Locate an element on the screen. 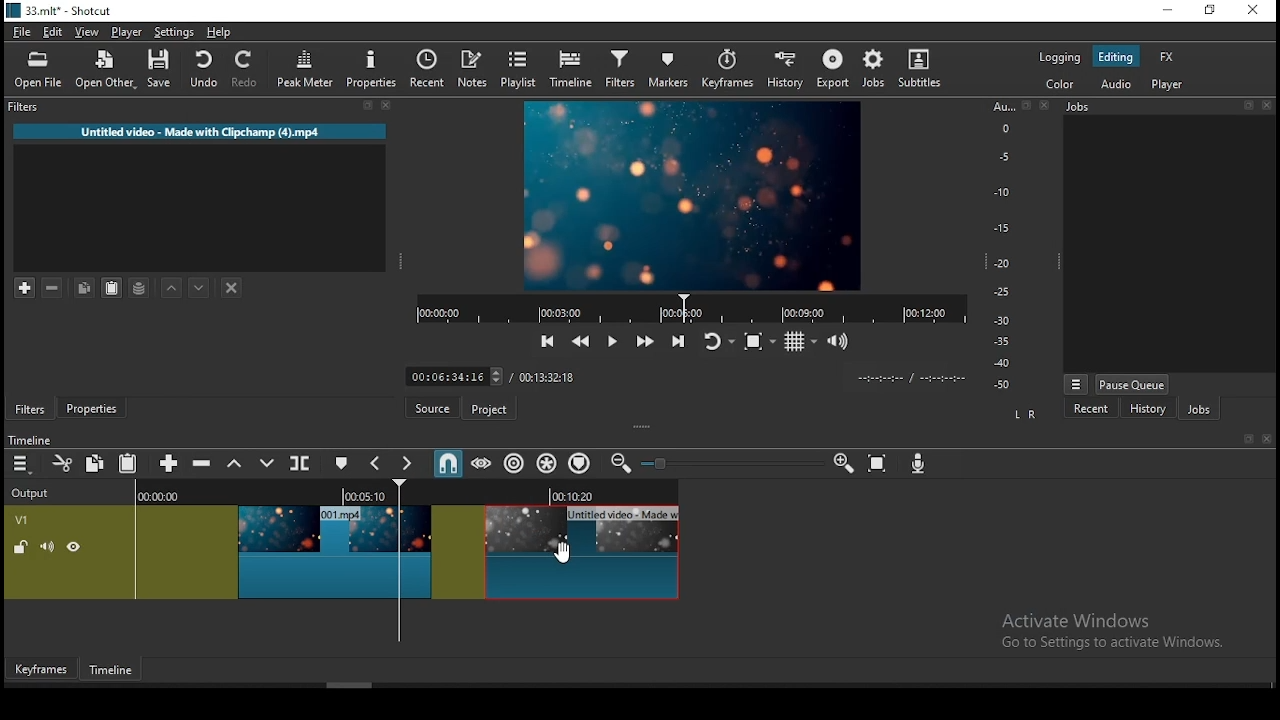 This screenshot has height=720, width=1280. next marker is located at coordinates (408, 464).